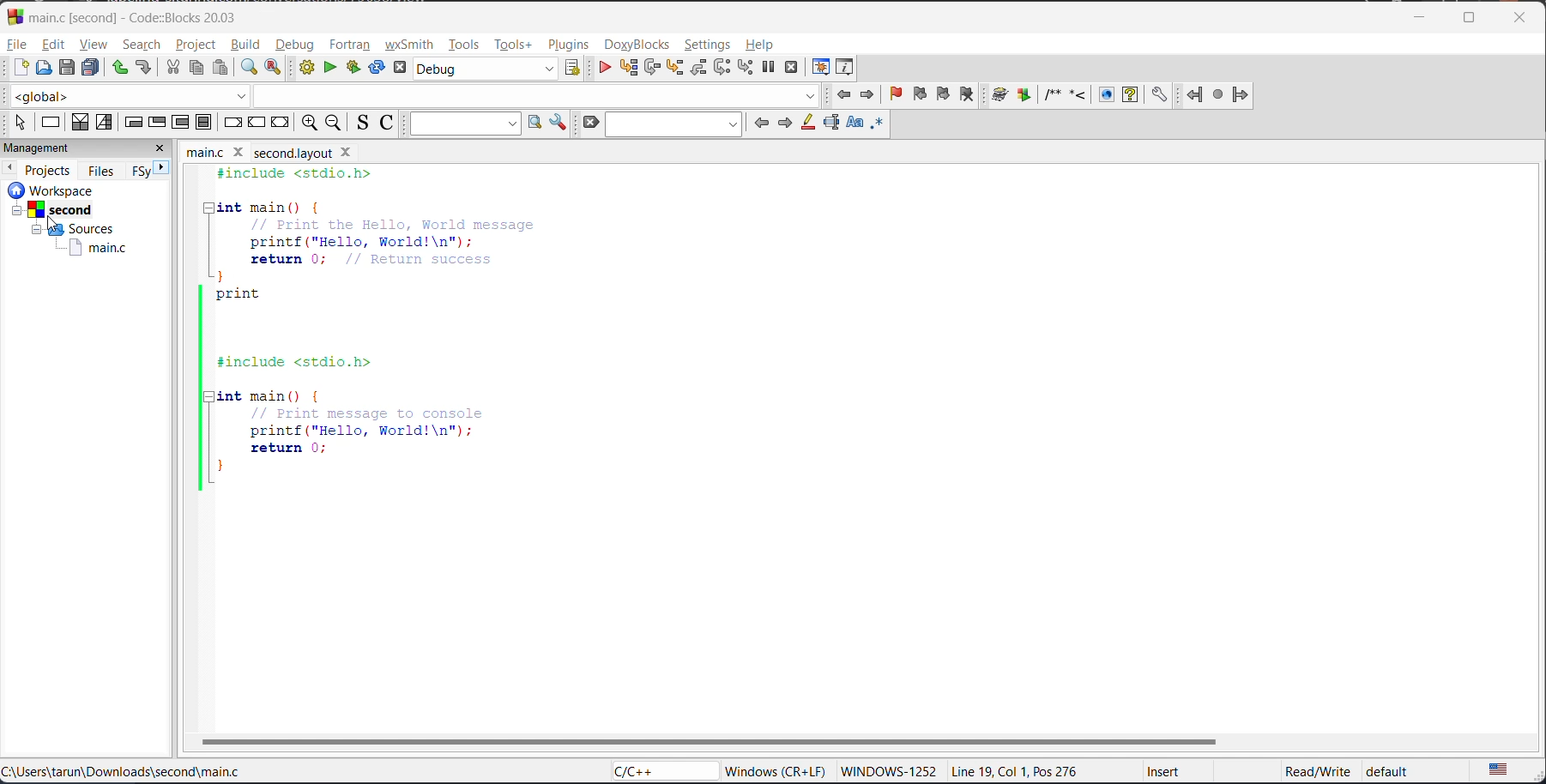  Describe the element at coordinates (793, 68) in the screenshot. I see `stop debugger` at that location.